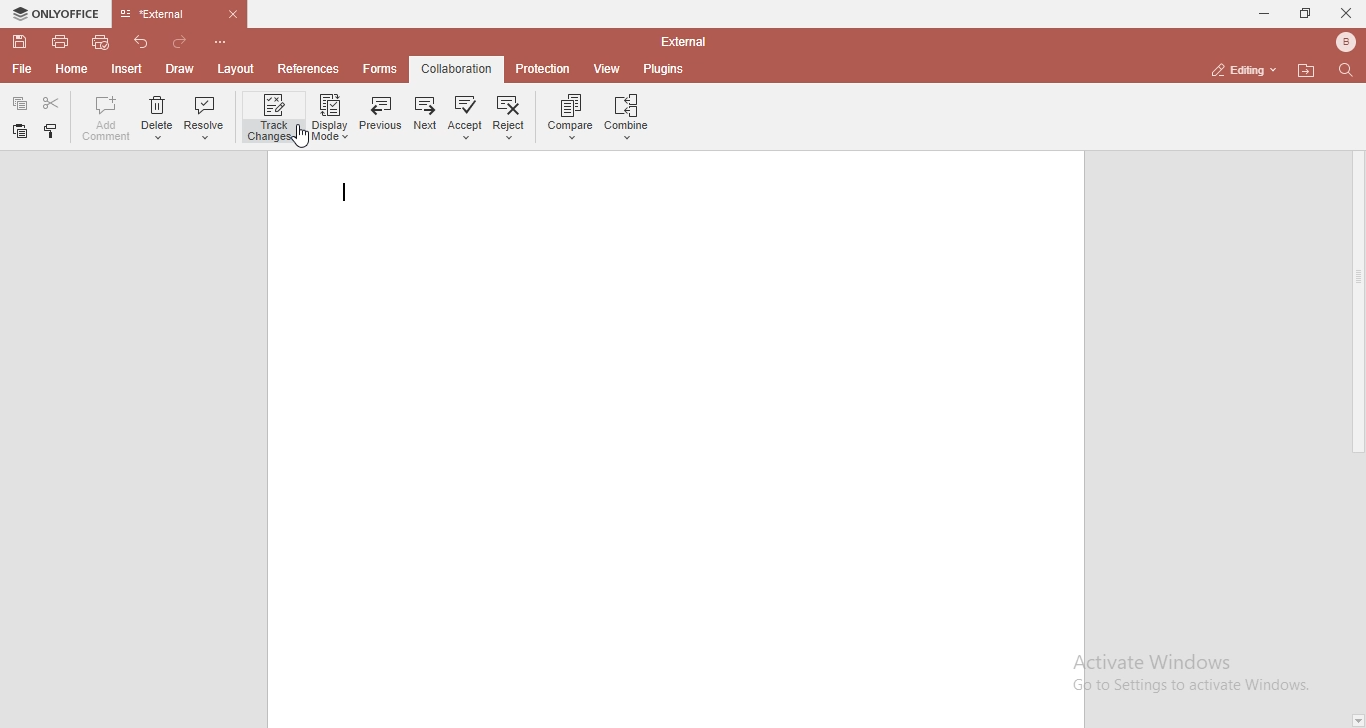 The width and height of the screenshot is (1366, 728). What do you see at coordinates (103, 118) in the screenshot?
I see `add comment` at bounding box center [103, 118].